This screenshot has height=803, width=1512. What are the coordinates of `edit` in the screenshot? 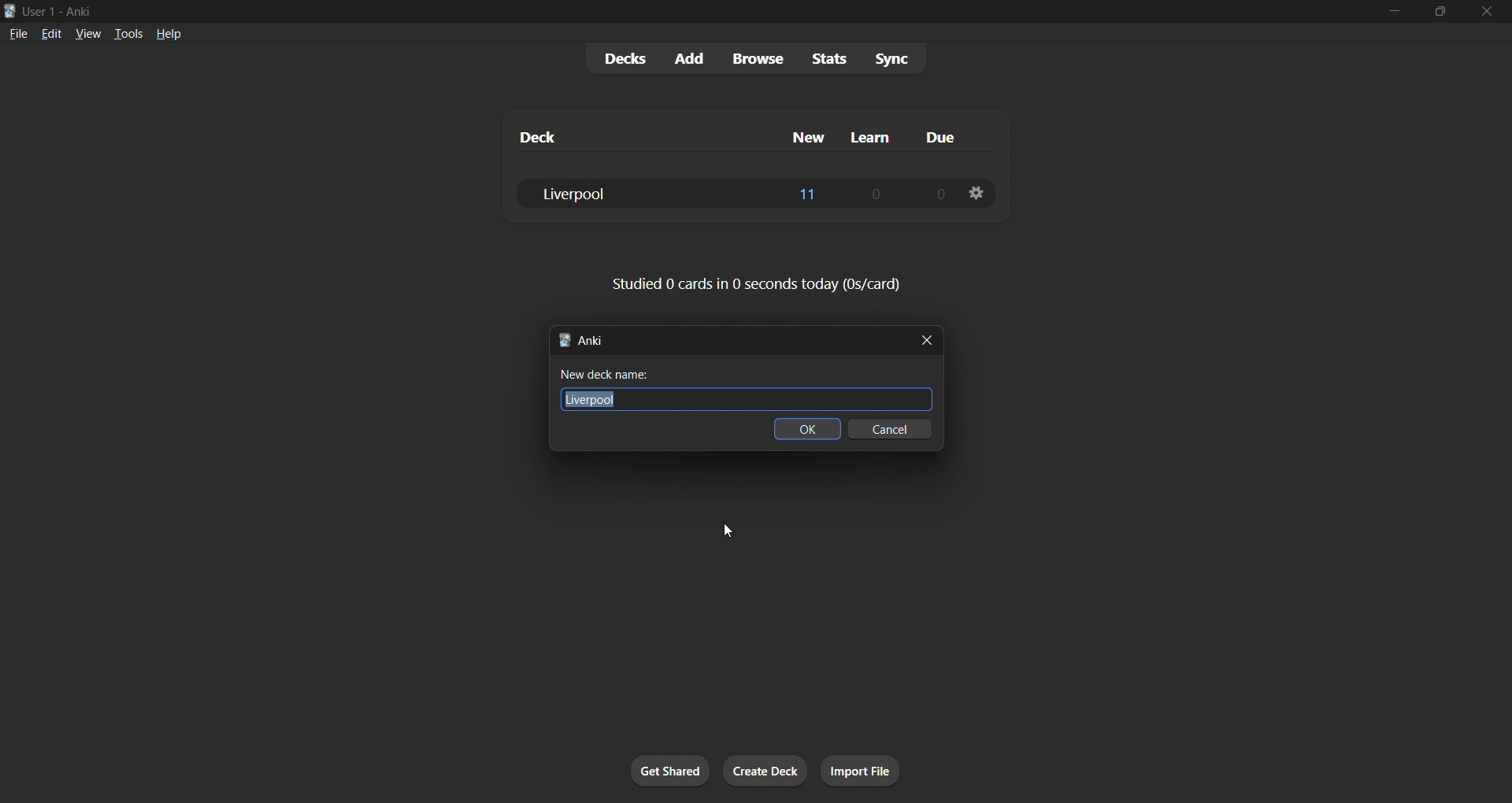 It's located at (52, 32).